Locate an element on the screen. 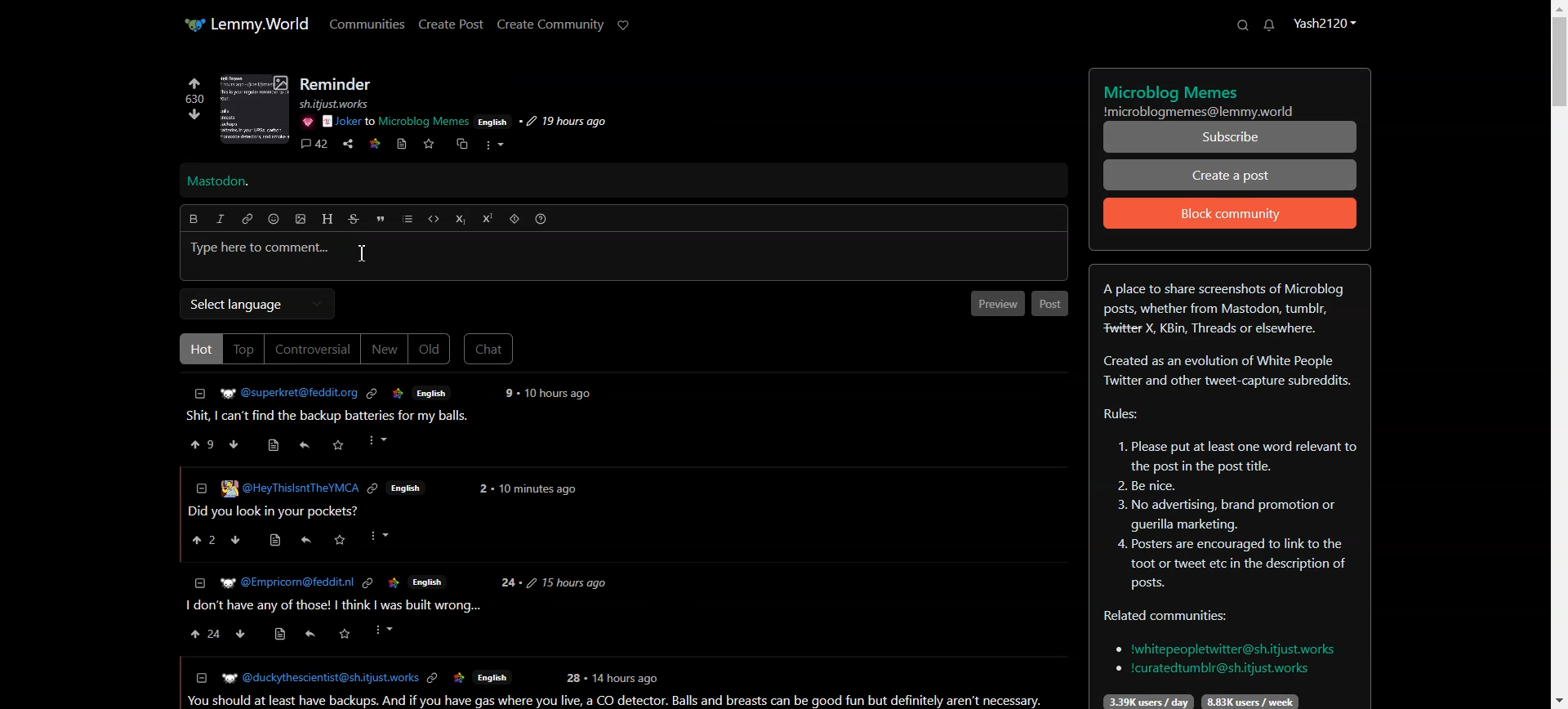 The image size is (1568, 709).  is located at coordinates (374, 490).